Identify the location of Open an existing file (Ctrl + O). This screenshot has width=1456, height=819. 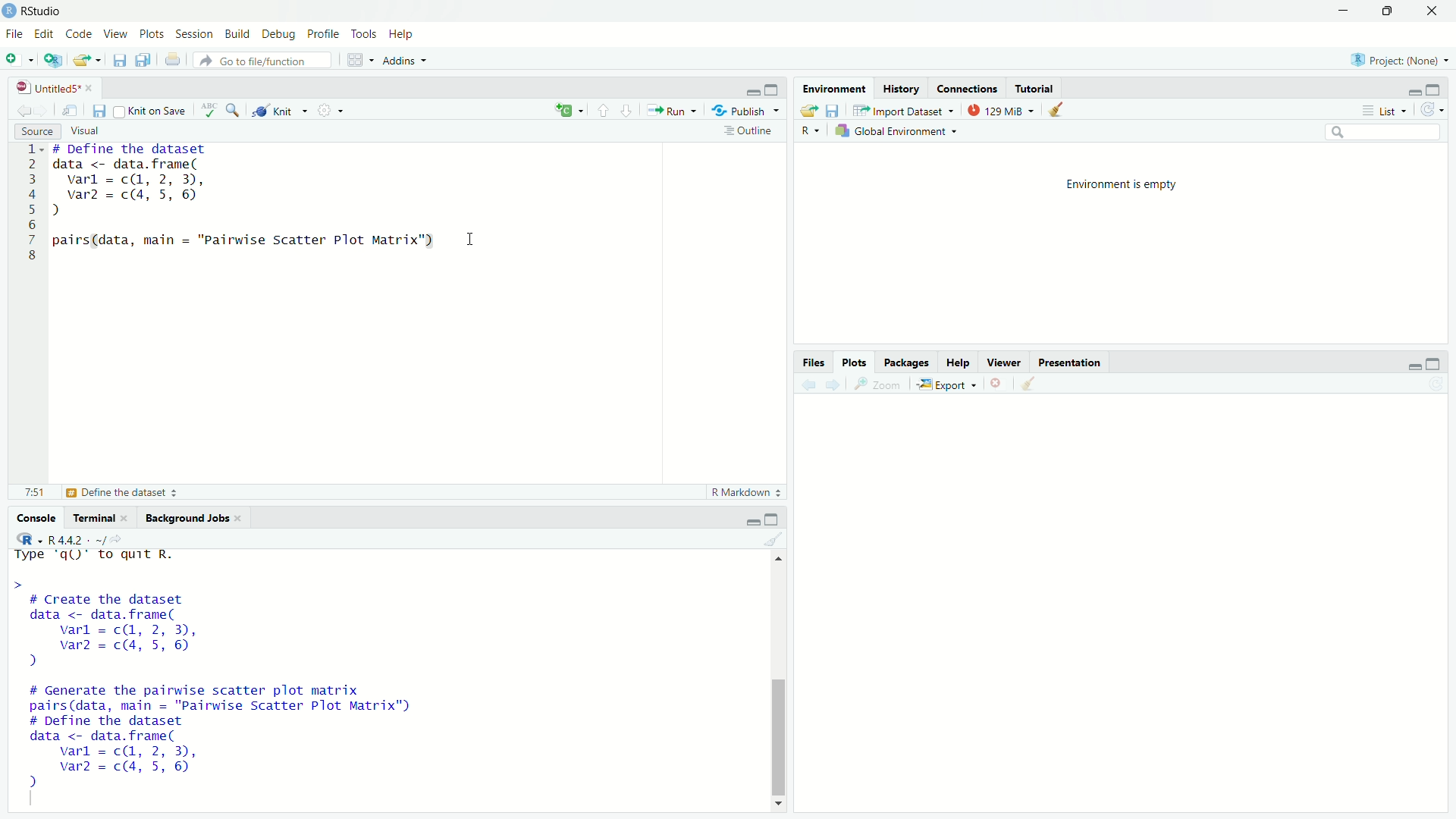
(88, 59).